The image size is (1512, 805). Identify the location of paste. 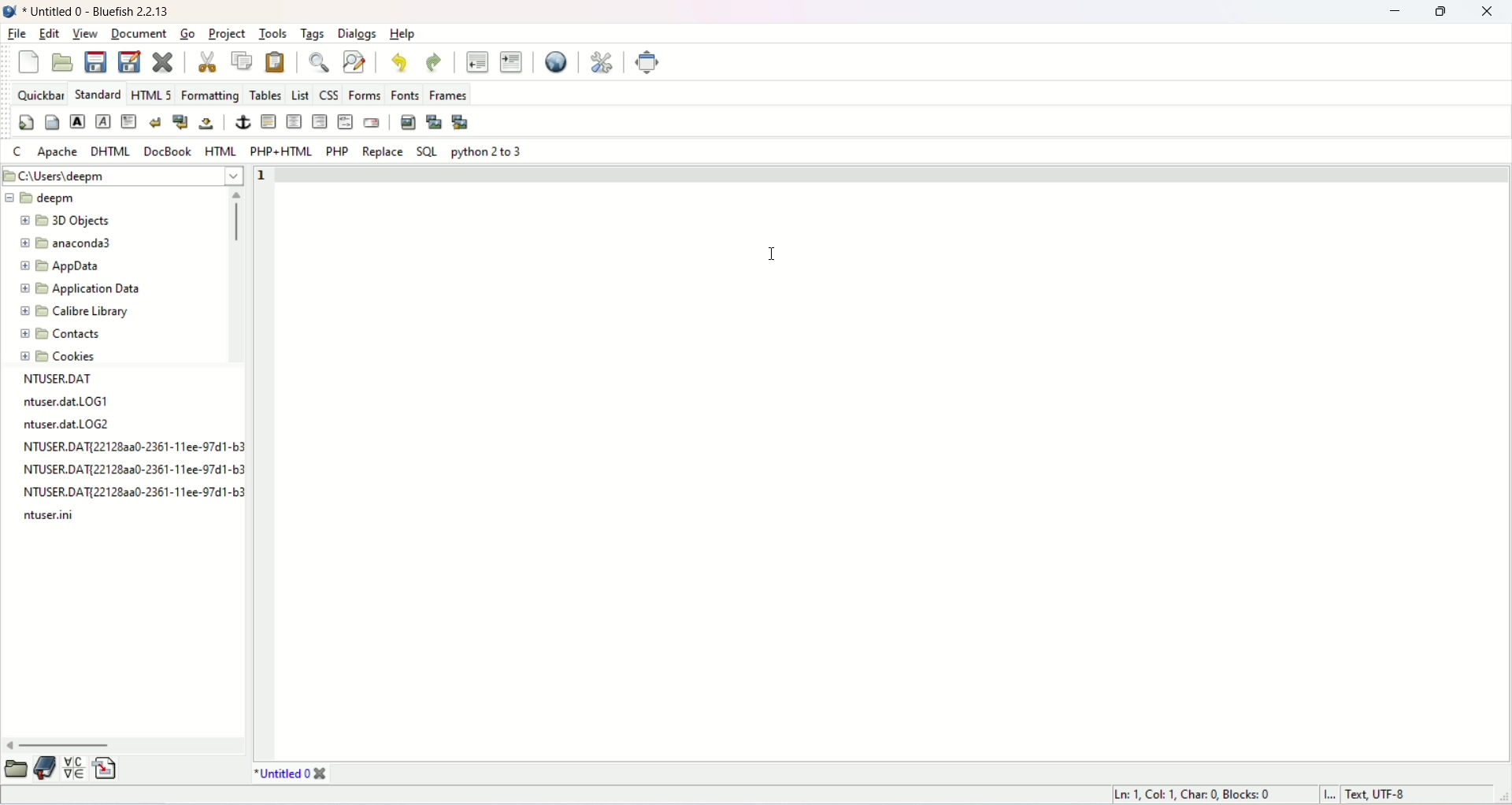
(276, 65).